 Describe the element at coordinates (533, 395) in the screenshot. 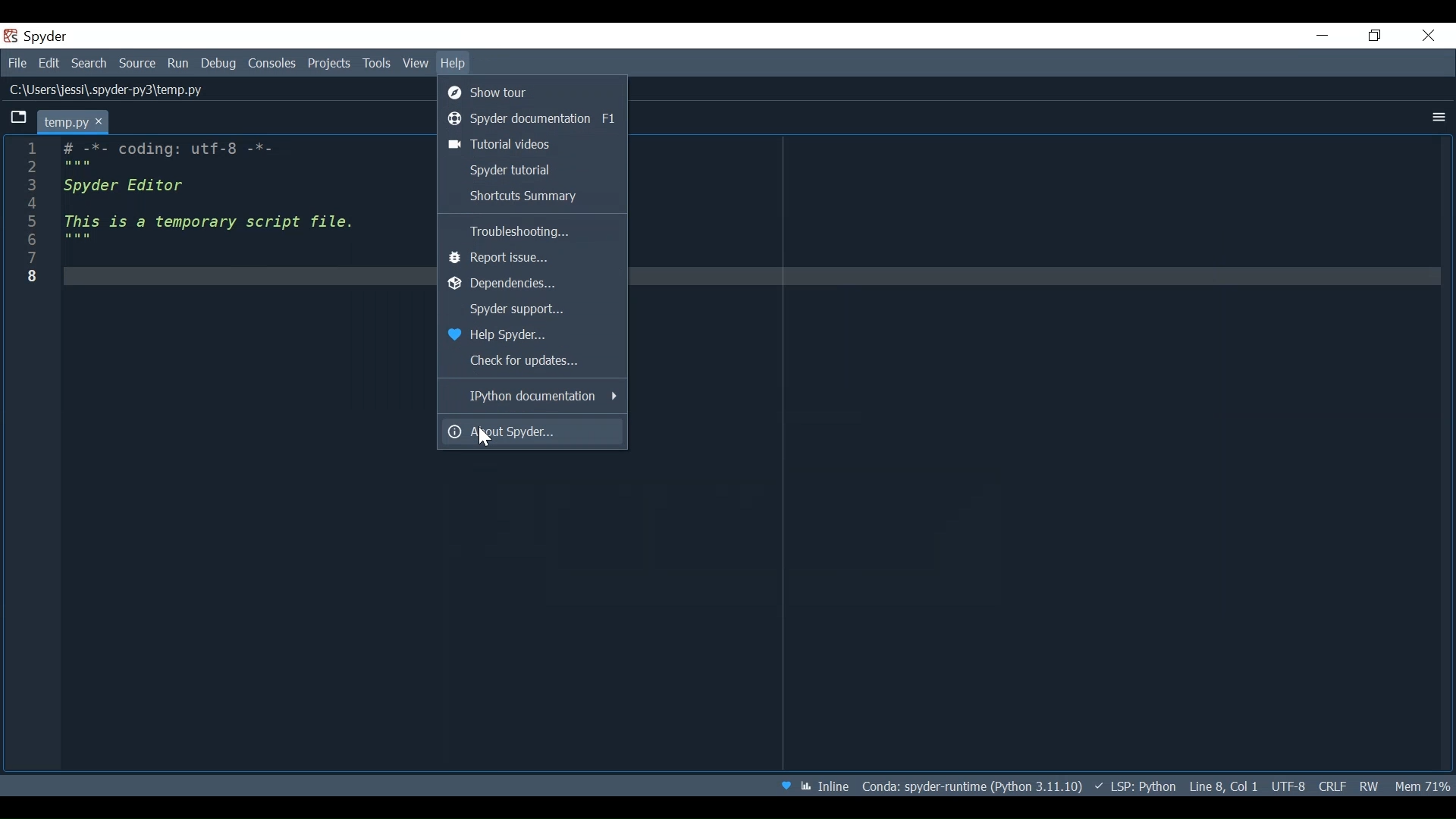

I see `Python Documentation` at that location.